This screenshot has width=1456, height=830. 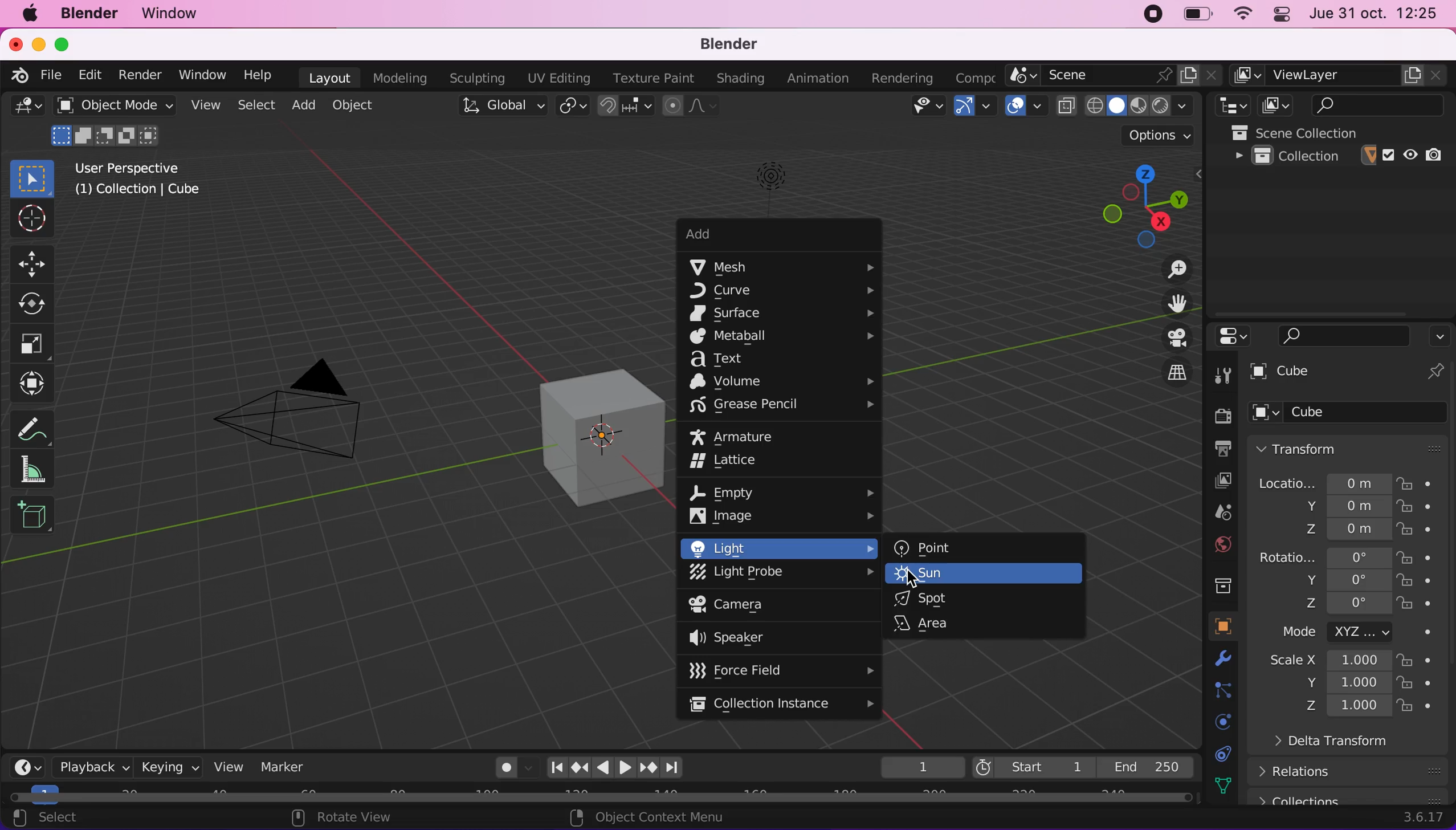 I want to click on move, so click(x=35, y=263).